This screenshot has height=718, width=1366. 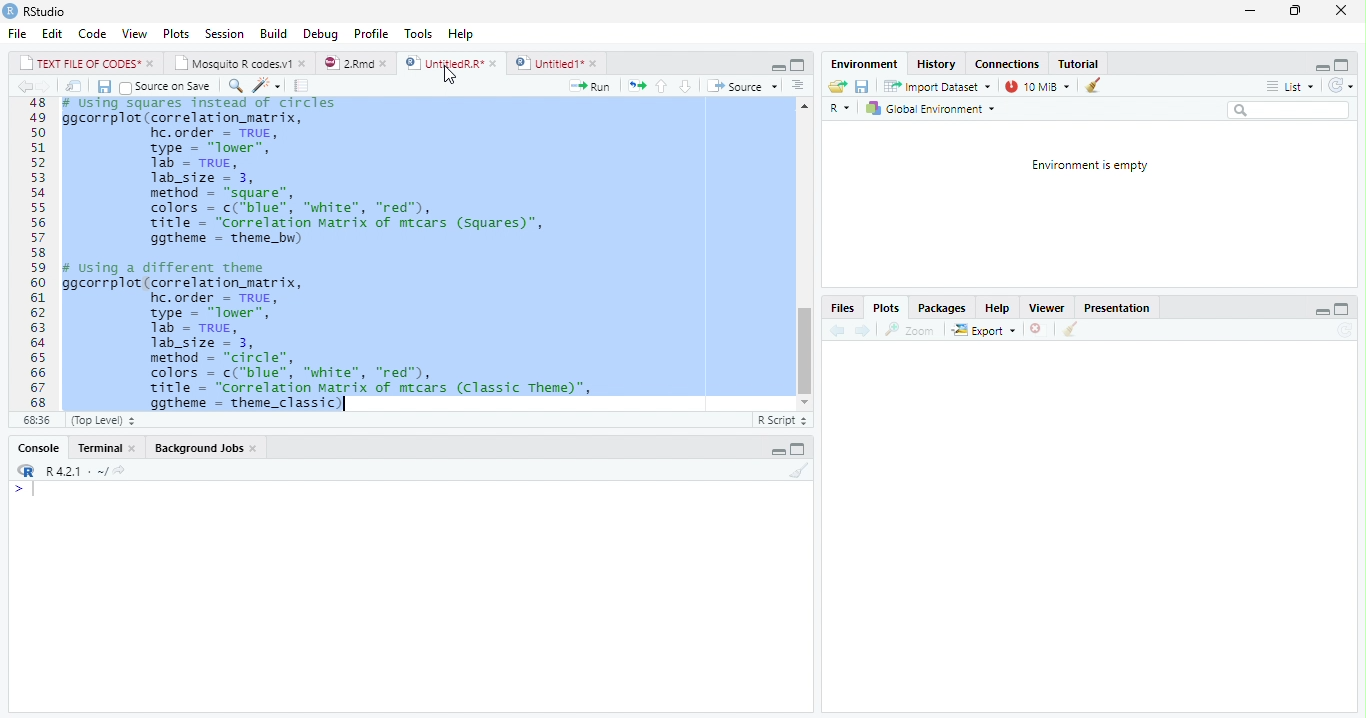 What do you see at coordinates (800, 447) in the screenshot?
I see `hide console` at bounding box center [800, 447].